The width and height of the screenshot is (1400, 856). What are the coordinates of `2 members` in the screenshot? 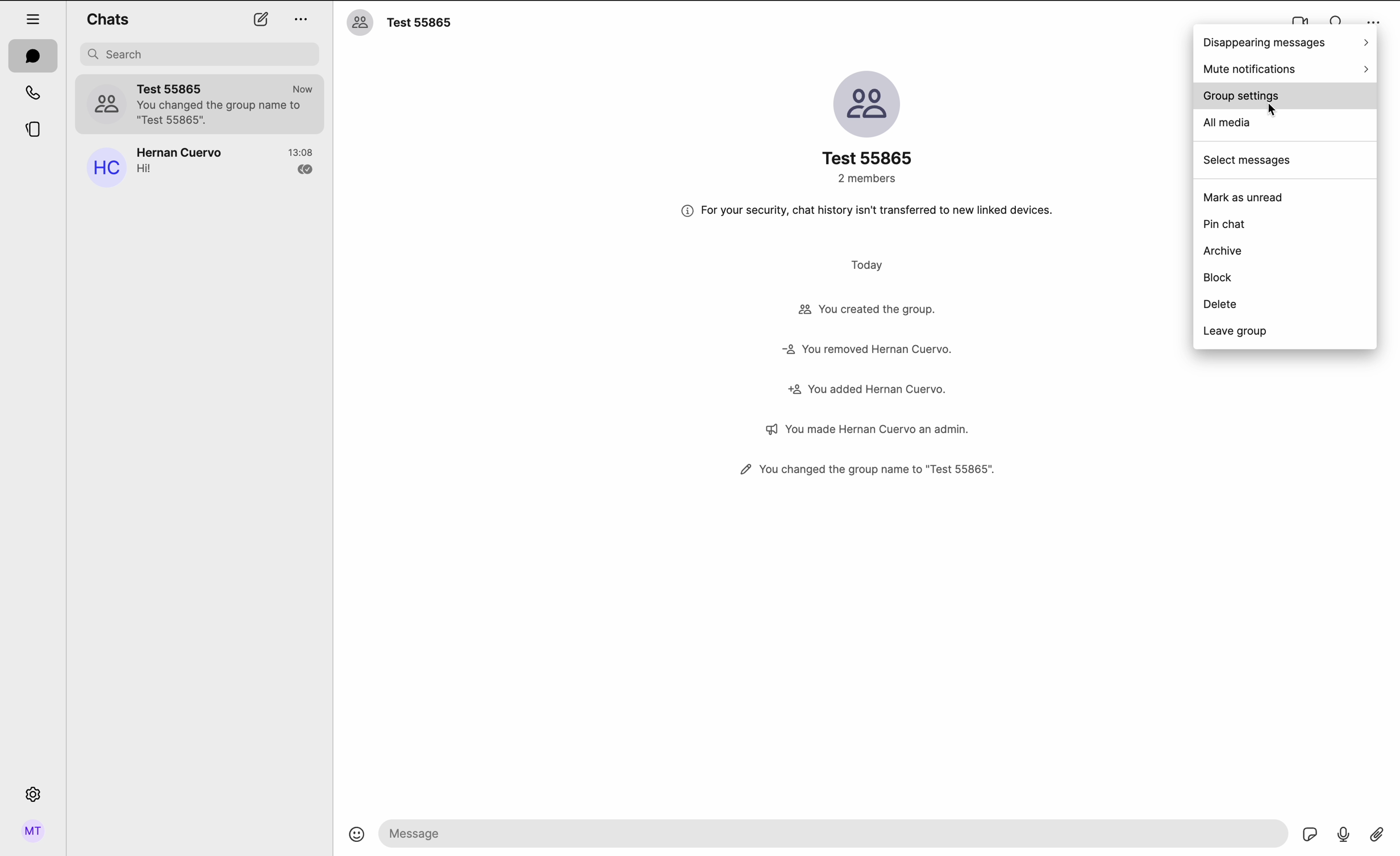 It's located at (869, 177).